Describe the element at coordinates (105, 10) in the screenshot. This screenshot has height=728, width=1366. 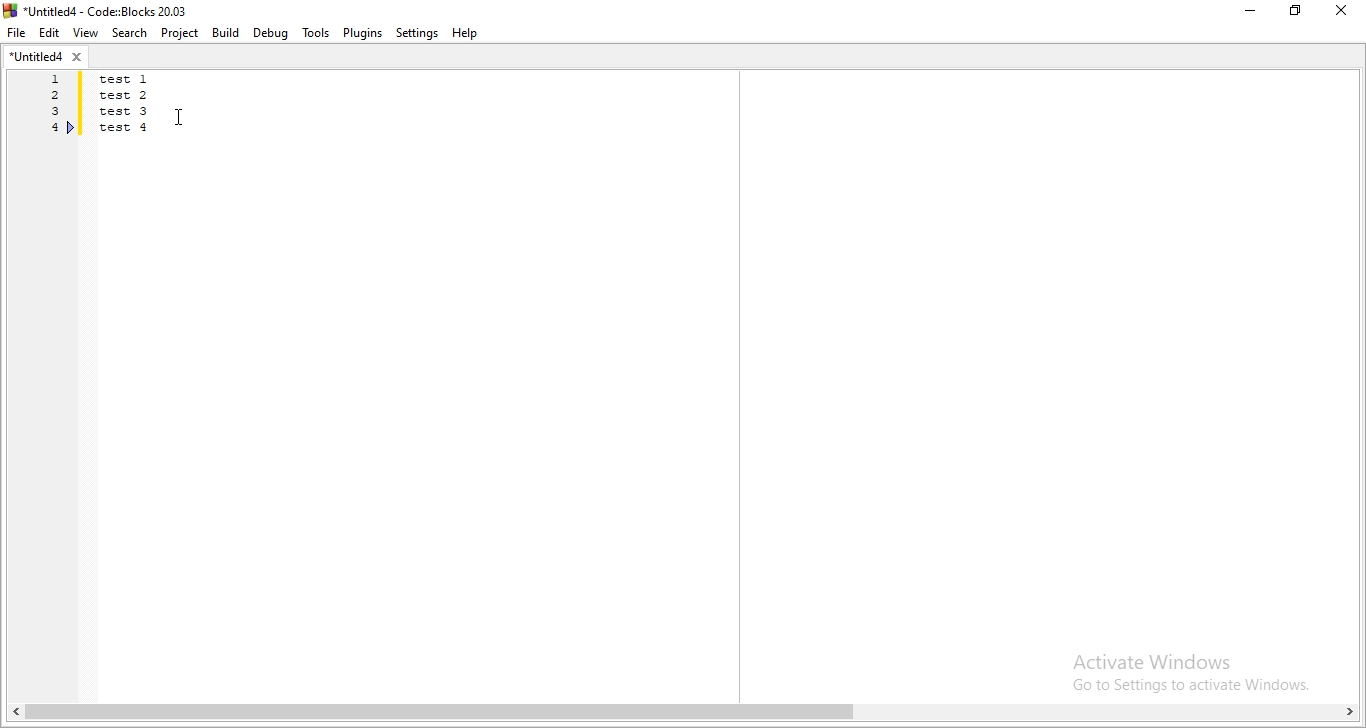
I see `title bar` at that location.